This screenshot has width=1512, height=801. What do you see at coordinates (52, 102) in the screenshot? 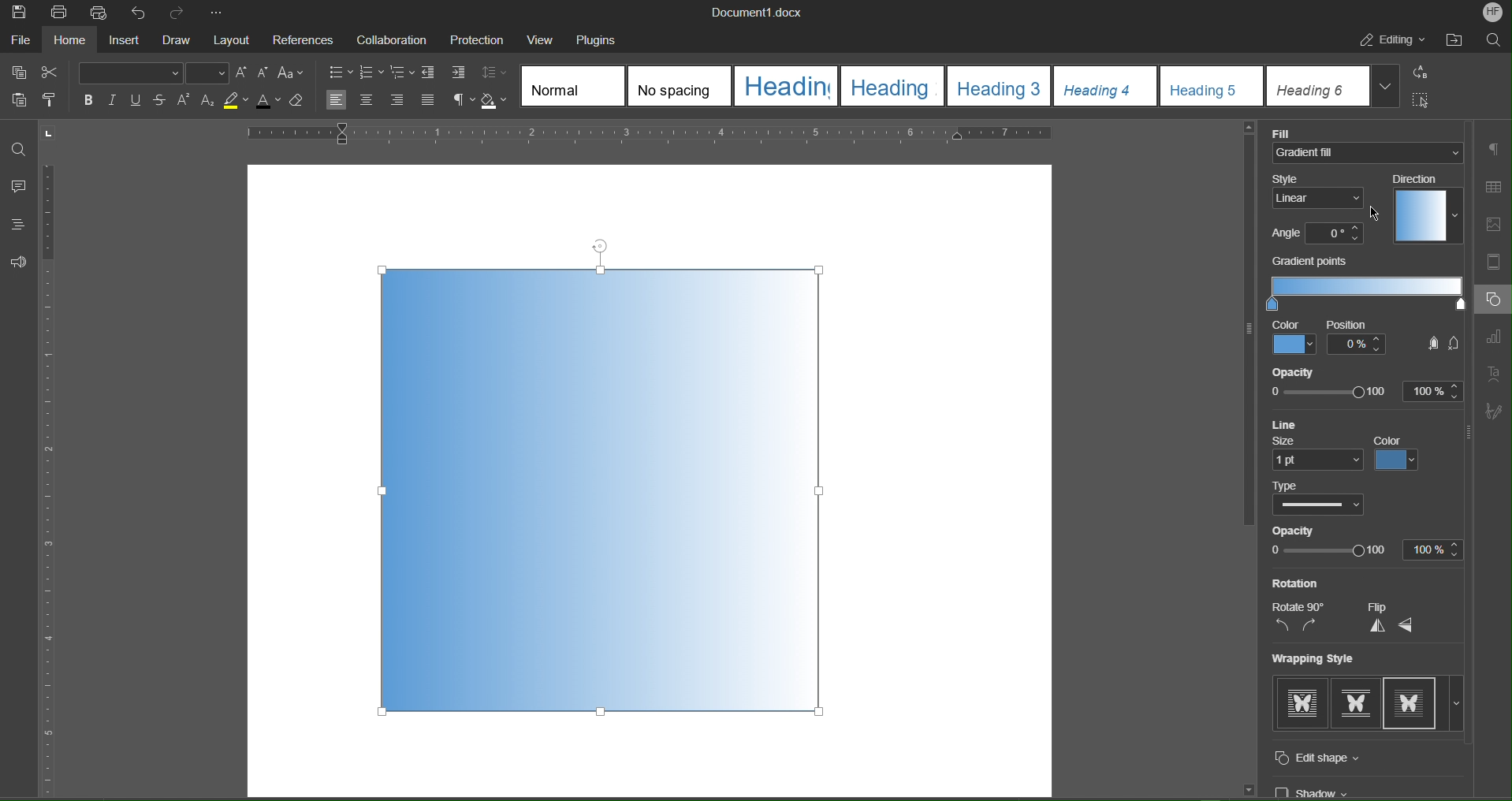
I see `Style Copy` at bounding box center [52, 102].